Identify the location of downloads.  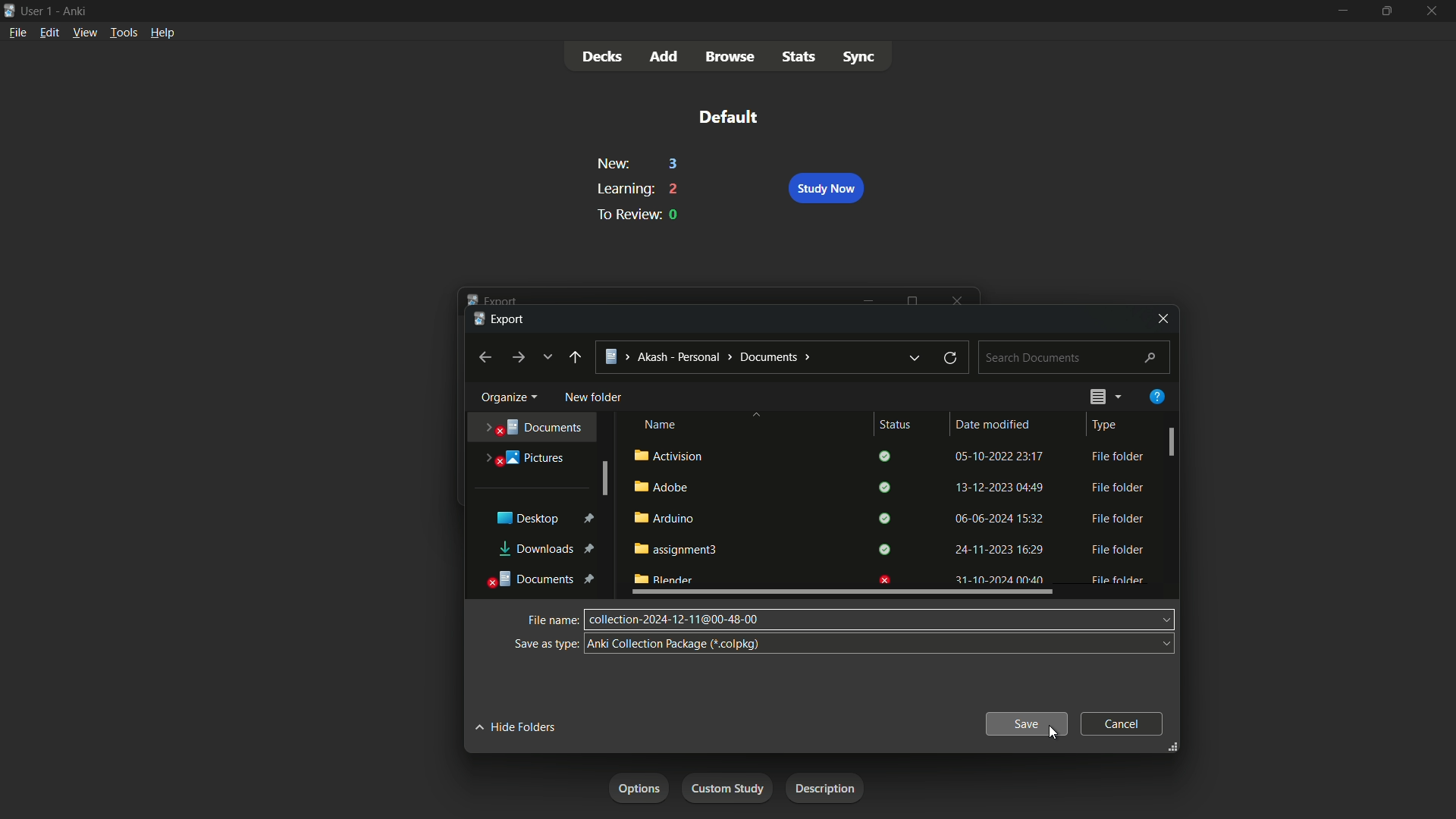
(547, 550).